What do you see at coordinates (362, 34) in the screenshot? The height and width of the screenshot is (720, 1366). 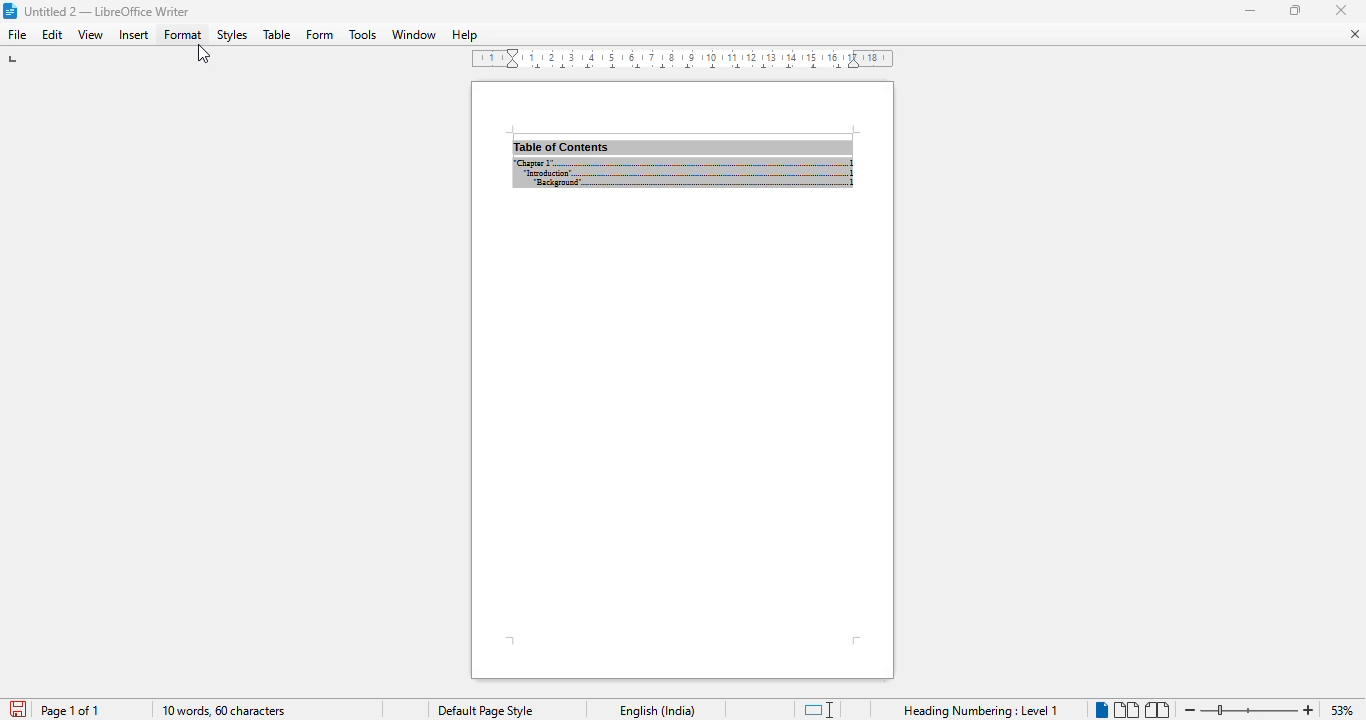 I see `tools` at bounding box center [362, 34].